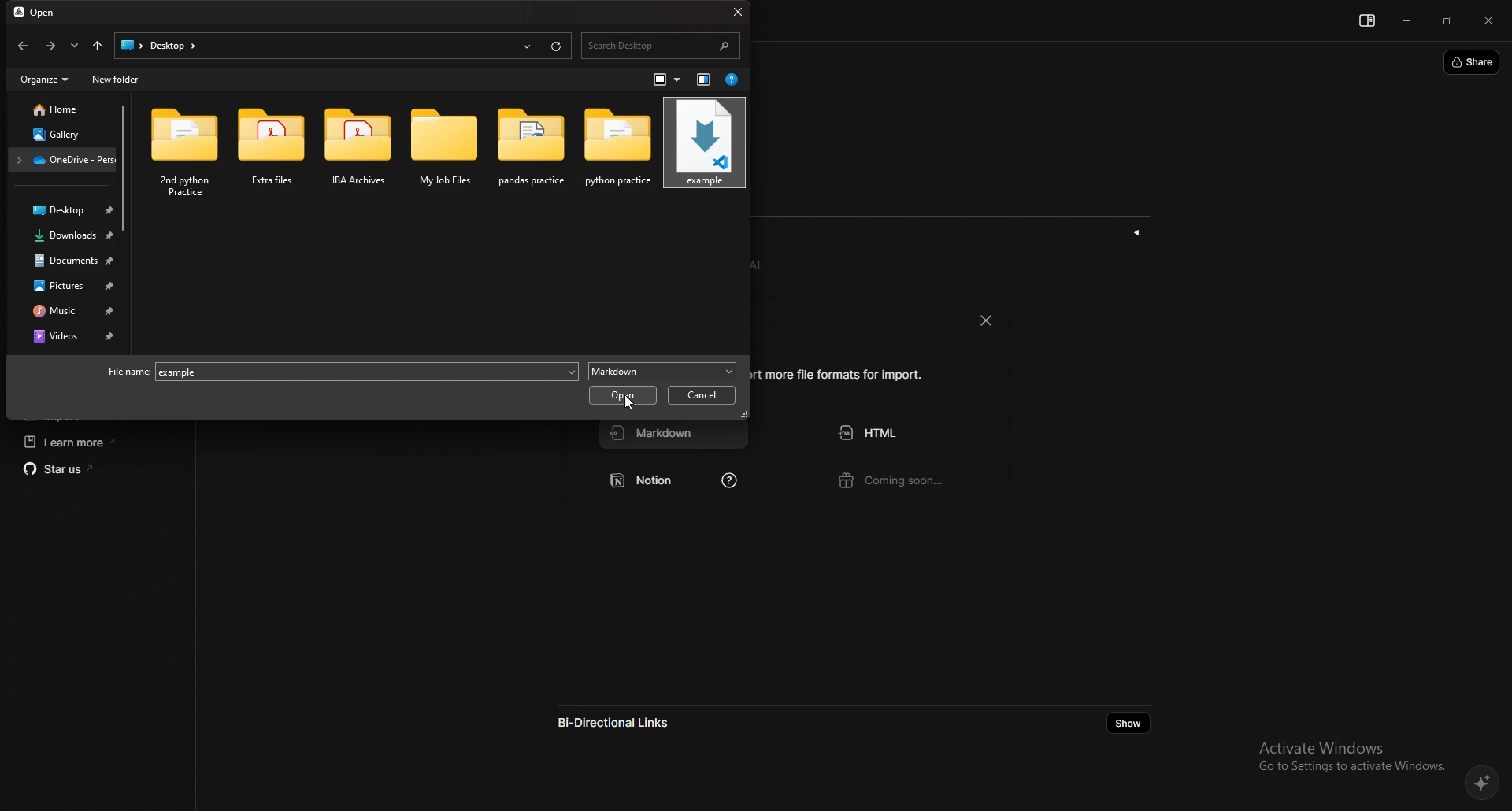 This screenshot has height=811, width=1512. What do you see at coordinates (56, 109) in the screenshot?
I see `home` at bounding box center [56, 109].